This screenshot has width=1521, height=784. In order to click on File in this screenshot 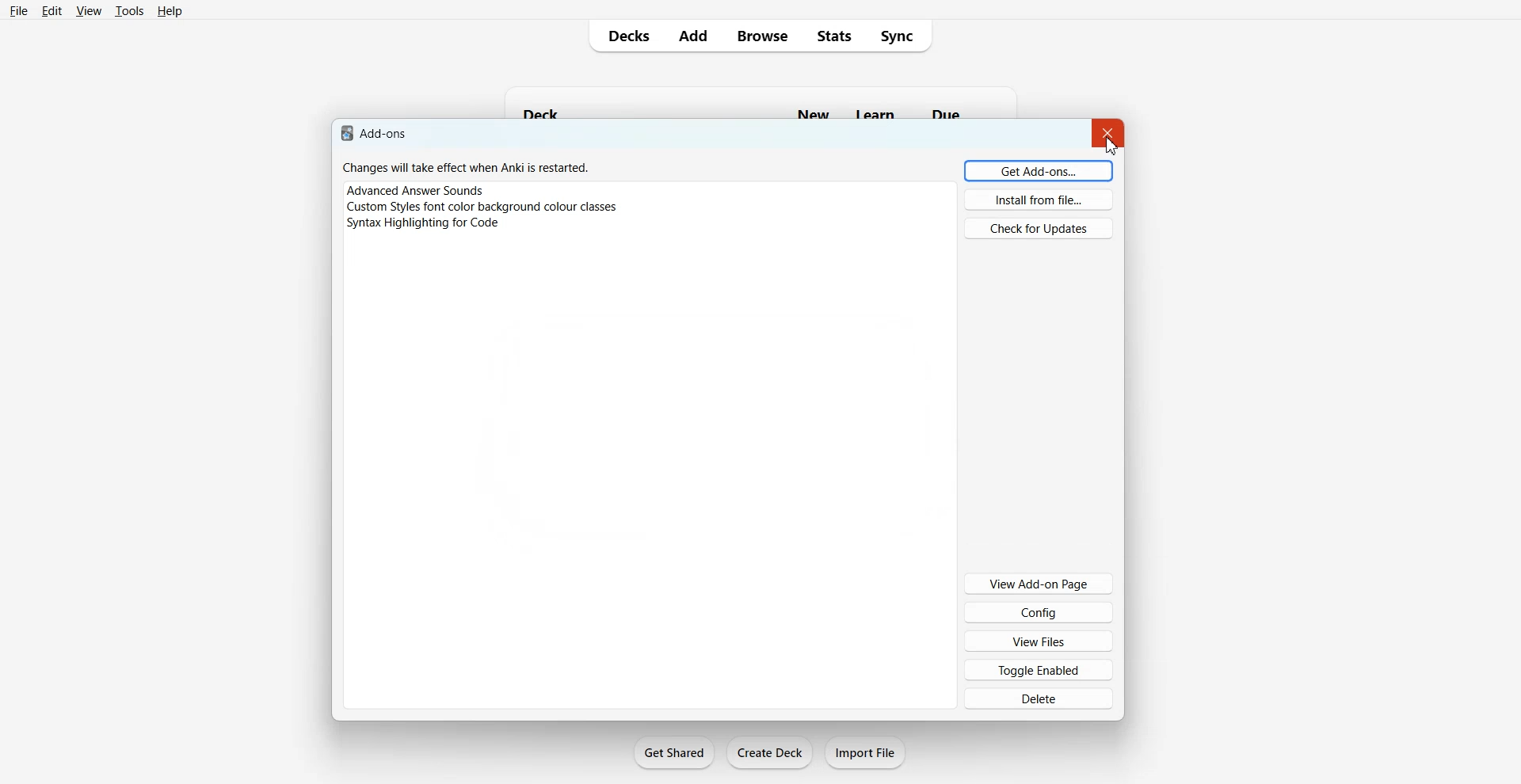, I will do `click(19, 10)`.